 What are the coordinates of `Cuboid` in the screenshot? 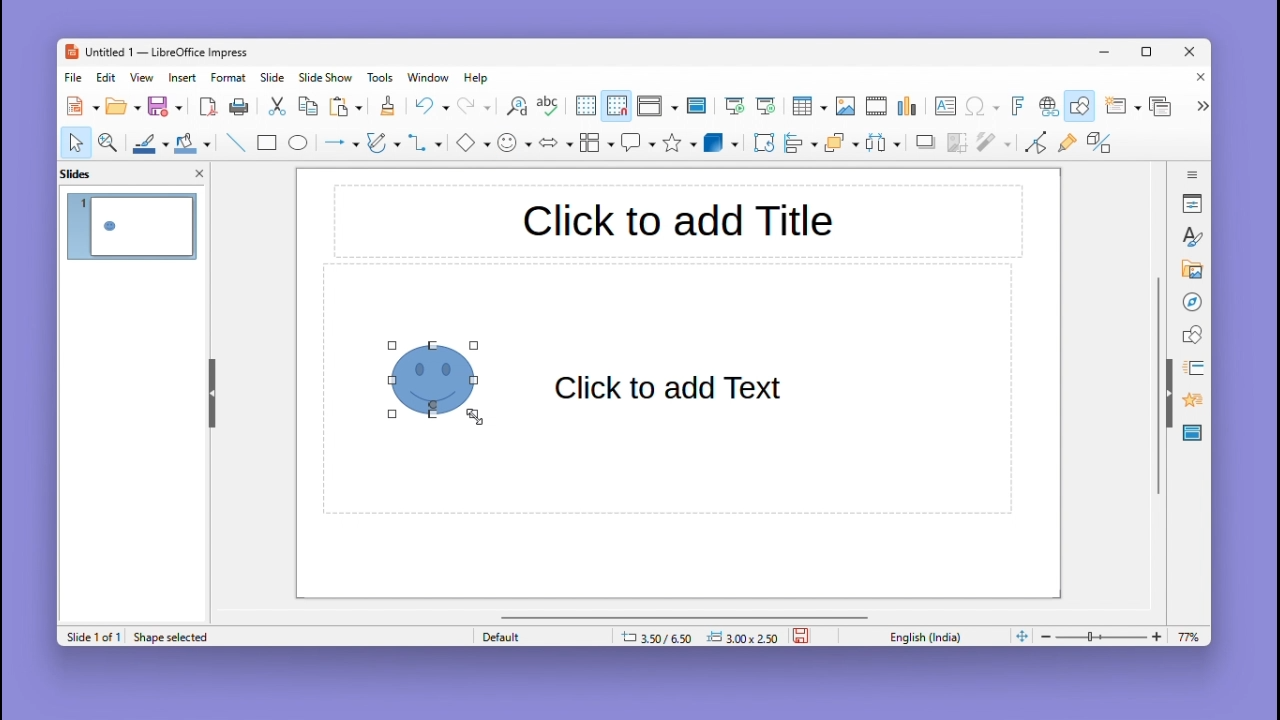 It's located at (721, 144).